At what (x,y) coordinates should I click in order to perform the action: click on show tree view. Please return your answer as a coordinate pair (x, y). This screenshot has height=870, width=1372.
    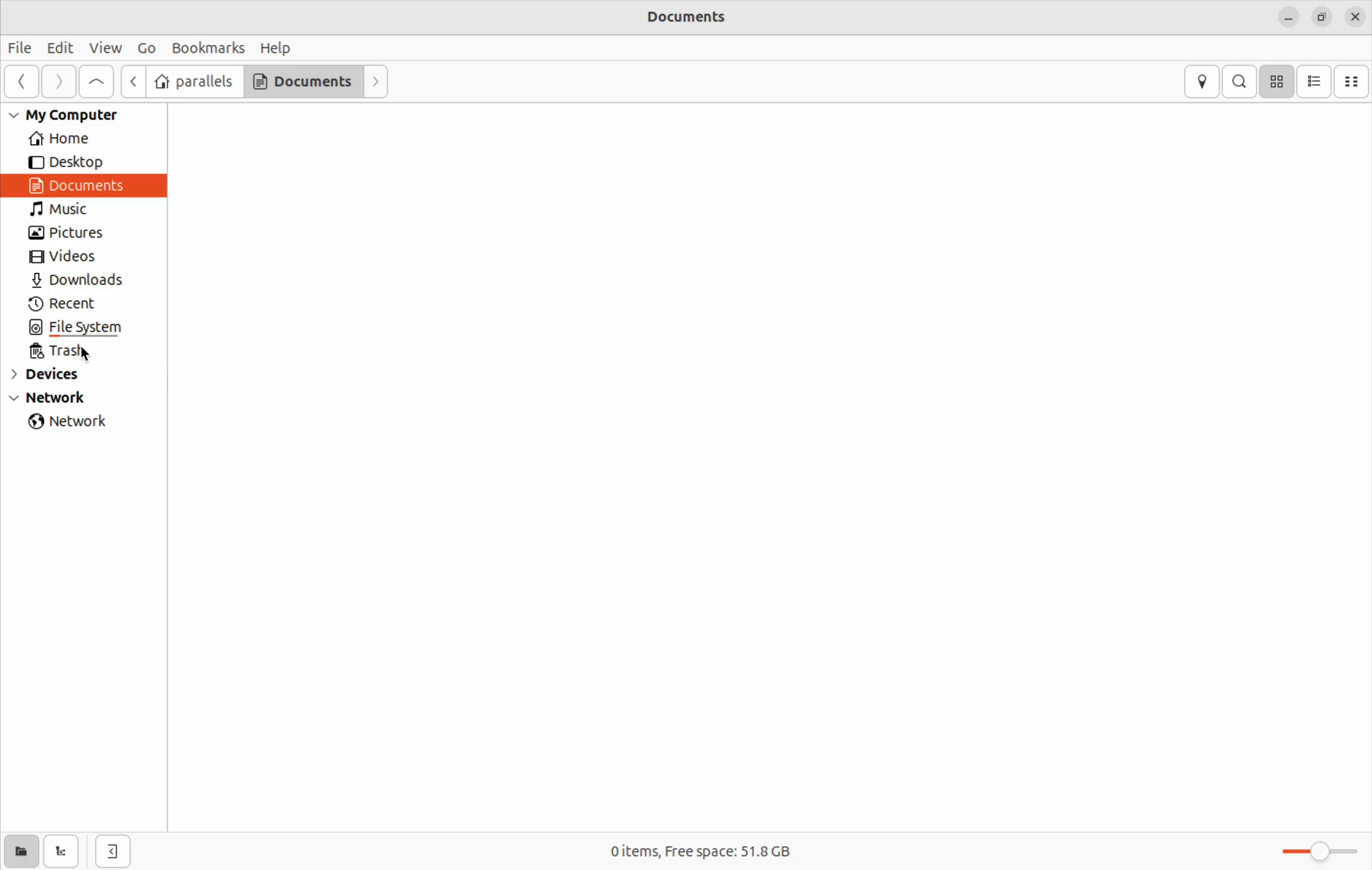
    Looking at the image, I should click on (60, 851).